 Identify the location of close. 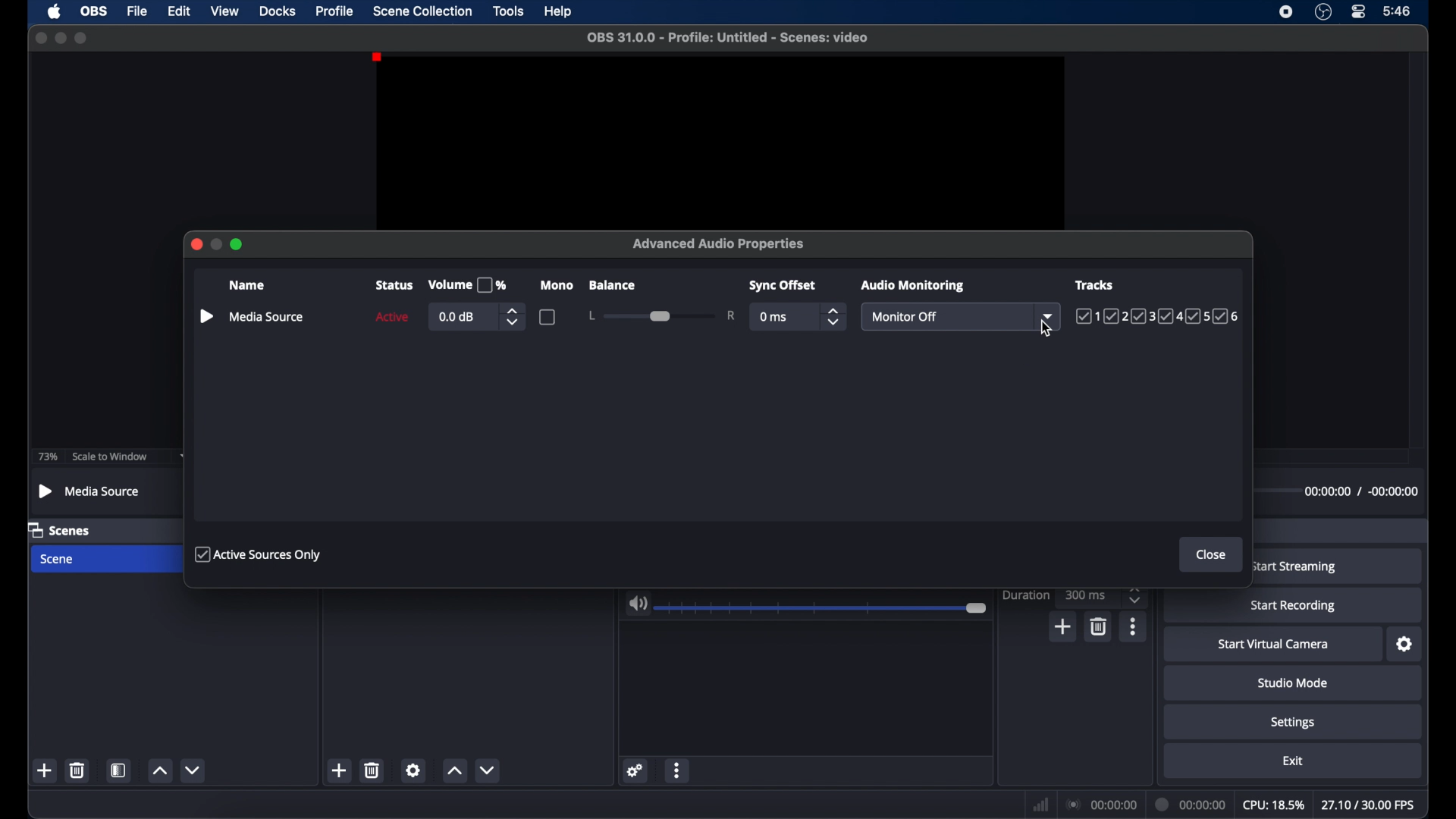
(196, 244).